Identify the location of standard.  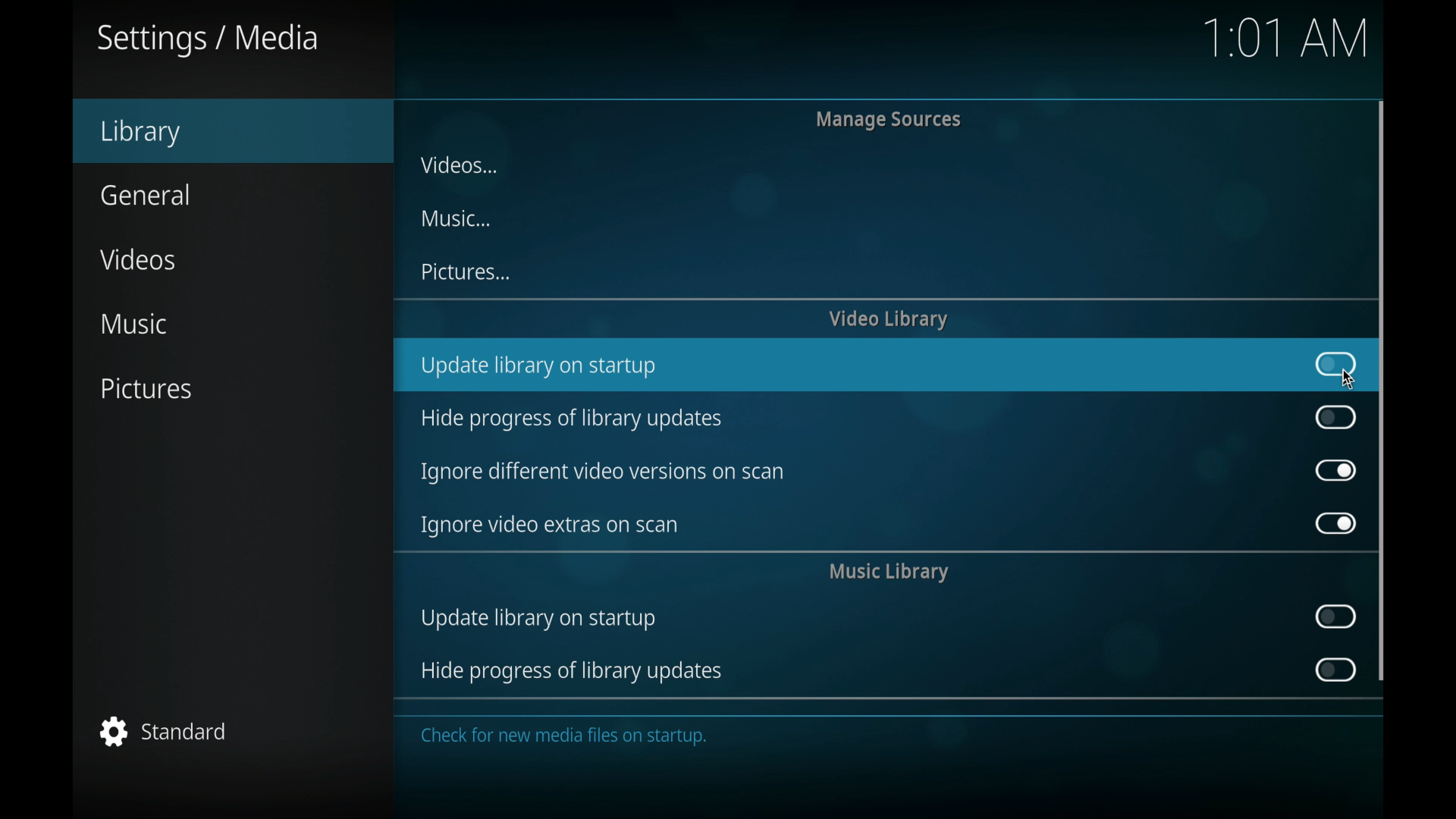
(164, 731).